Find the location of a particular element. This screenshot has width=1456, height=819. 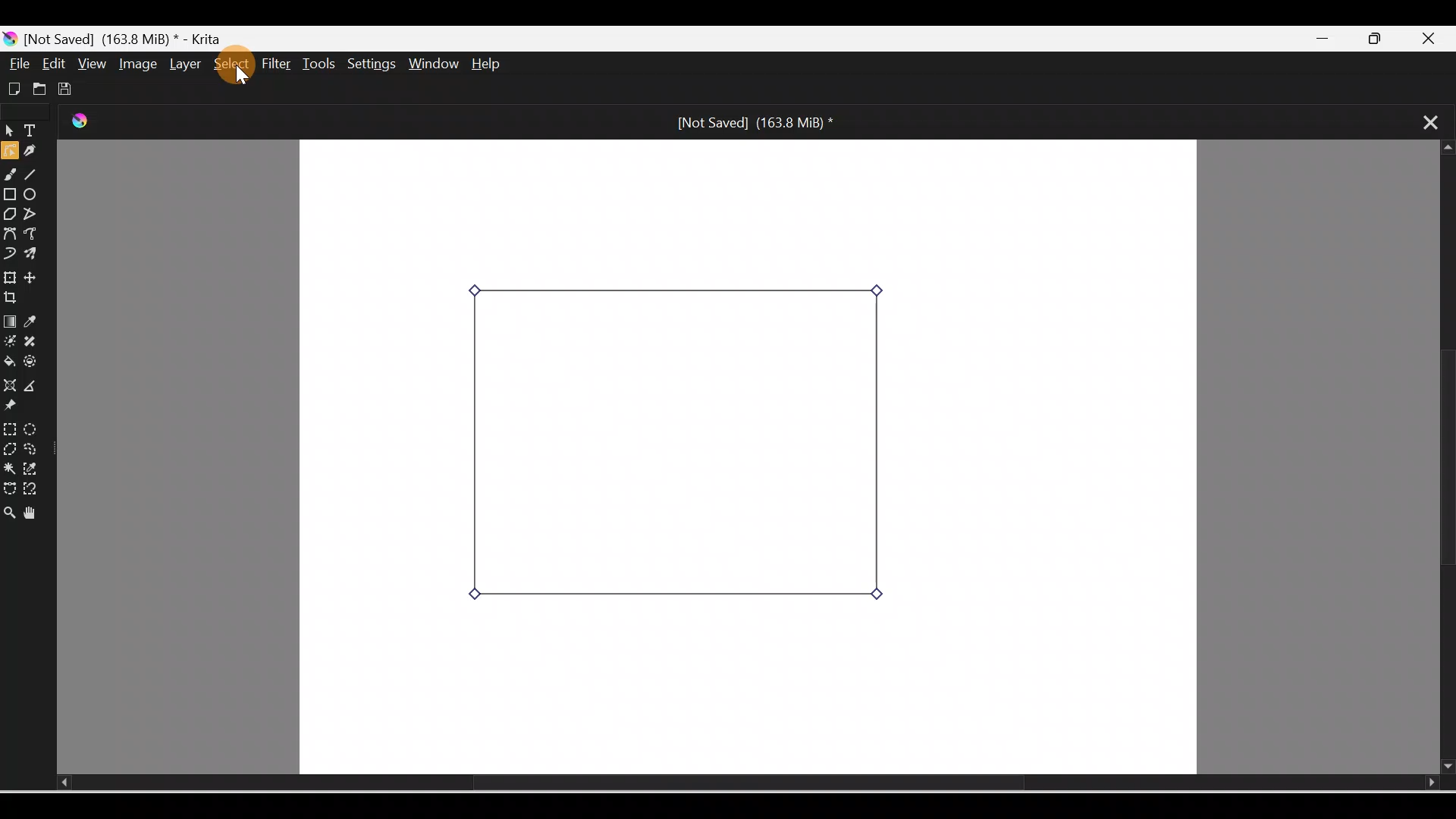

Similar color selection tool is located at coordinates (33, 467).